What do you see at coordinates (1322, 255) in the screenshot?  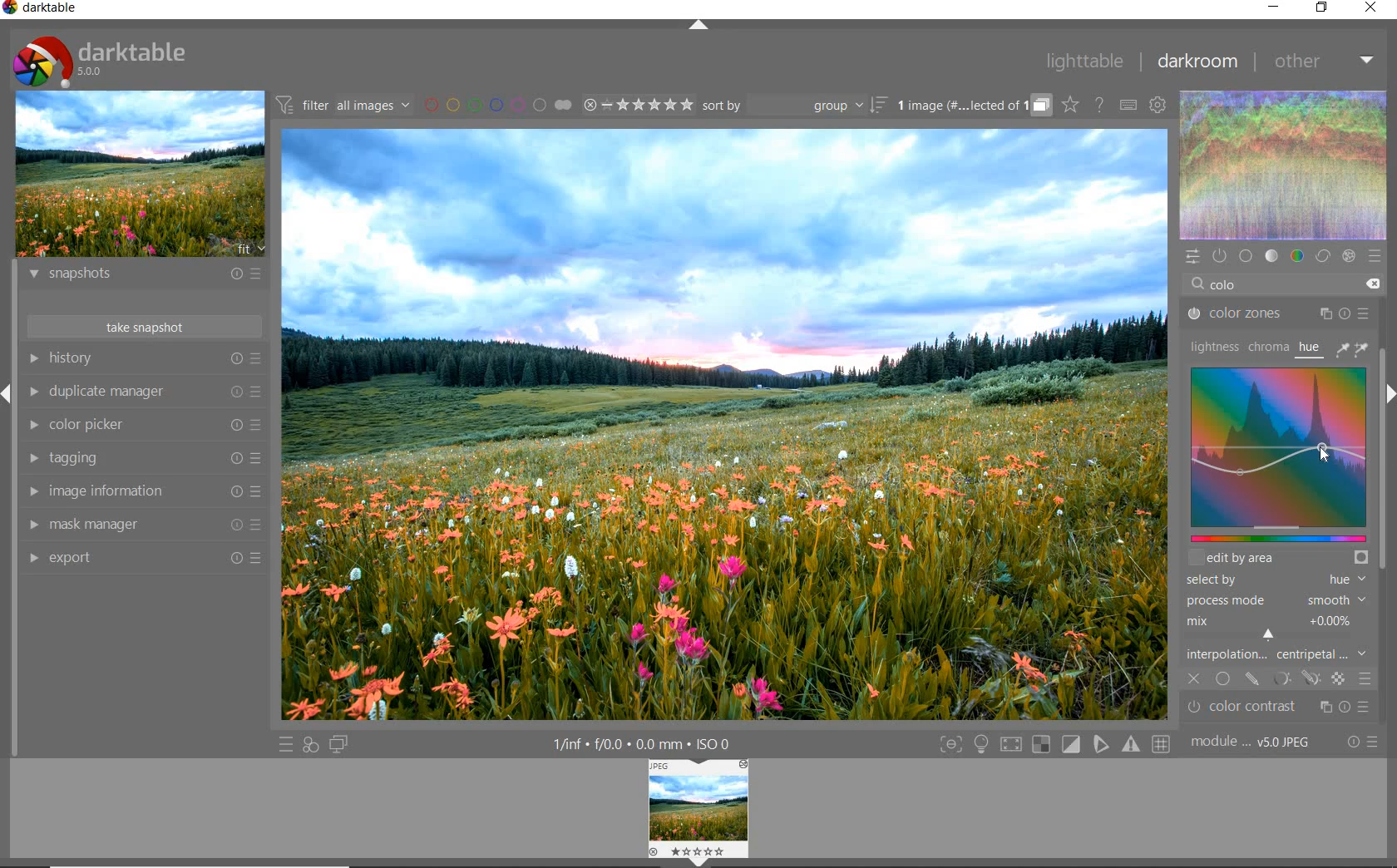 I see `correct` at bounding box center [1322, 255].